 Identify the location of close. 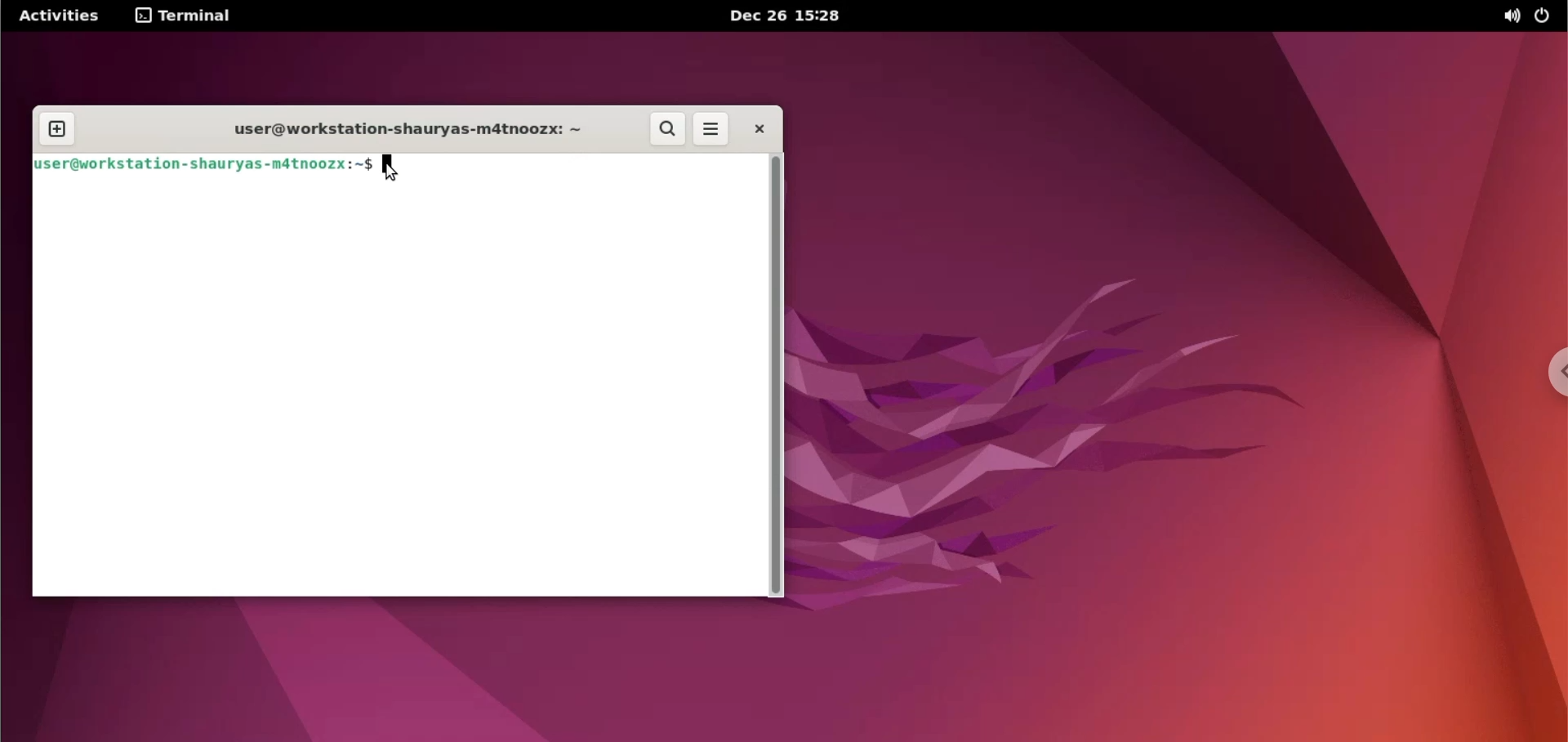
(752, 128).